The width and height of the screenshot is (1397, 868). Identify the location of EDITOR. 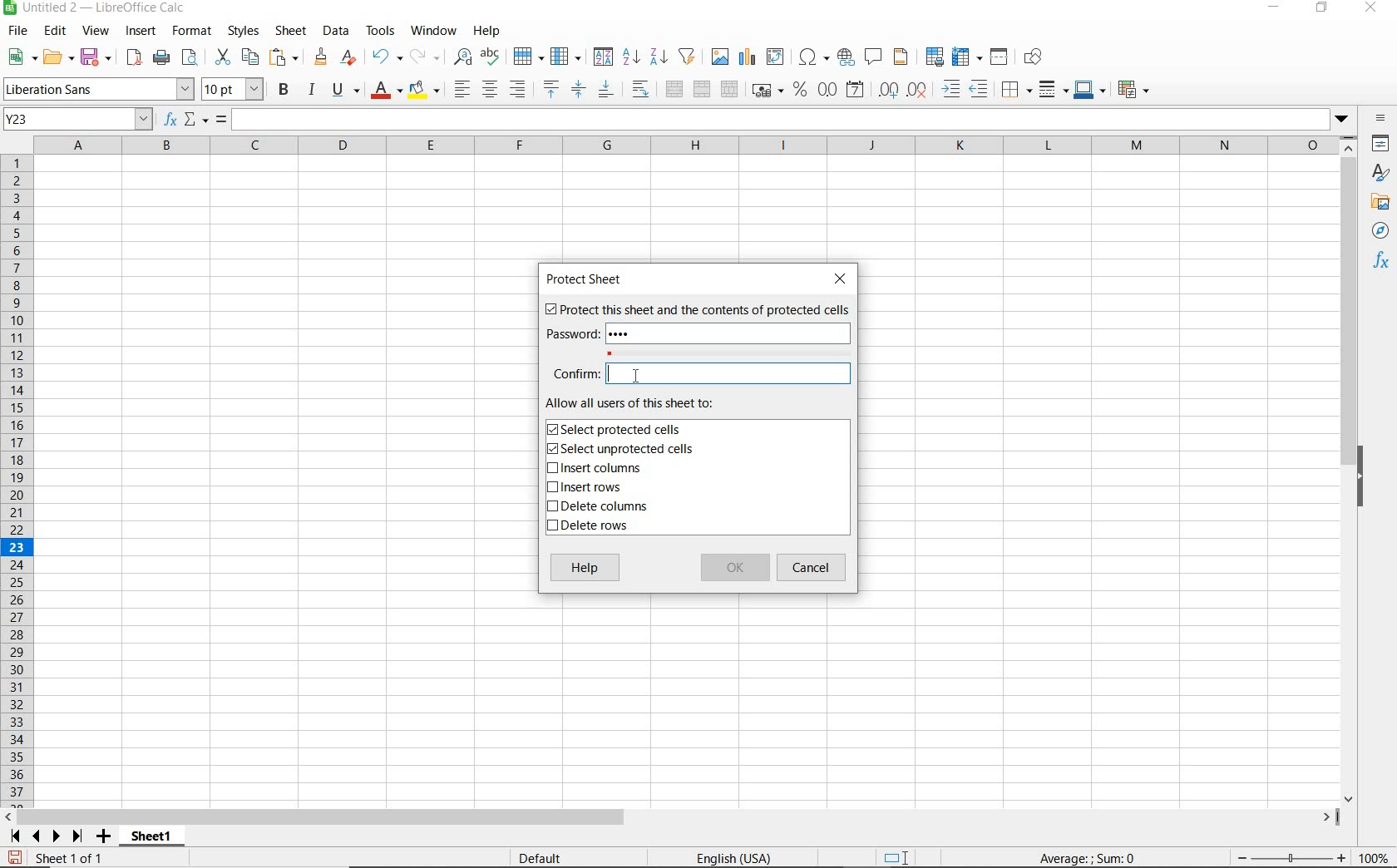
(607, 374).